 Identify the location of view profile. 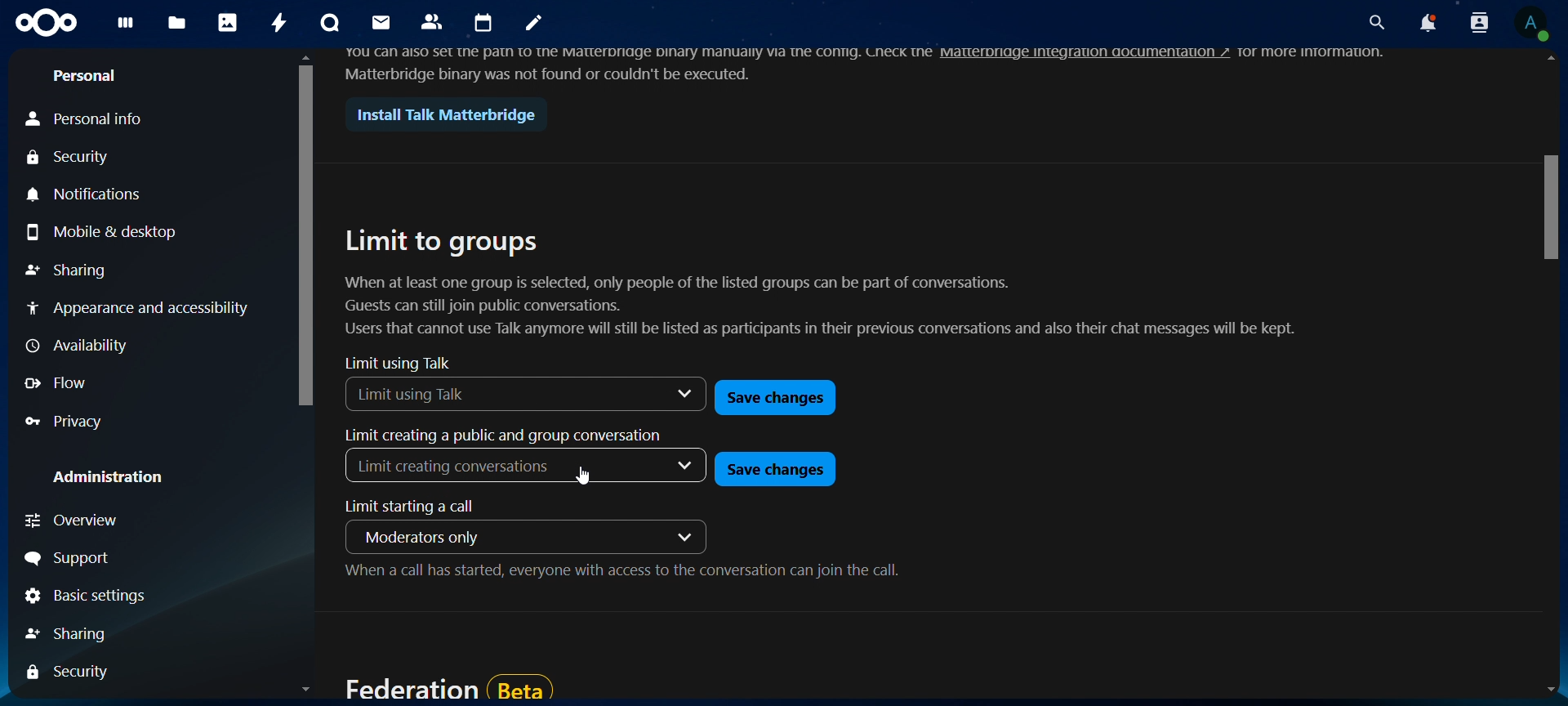
(1534, 25).